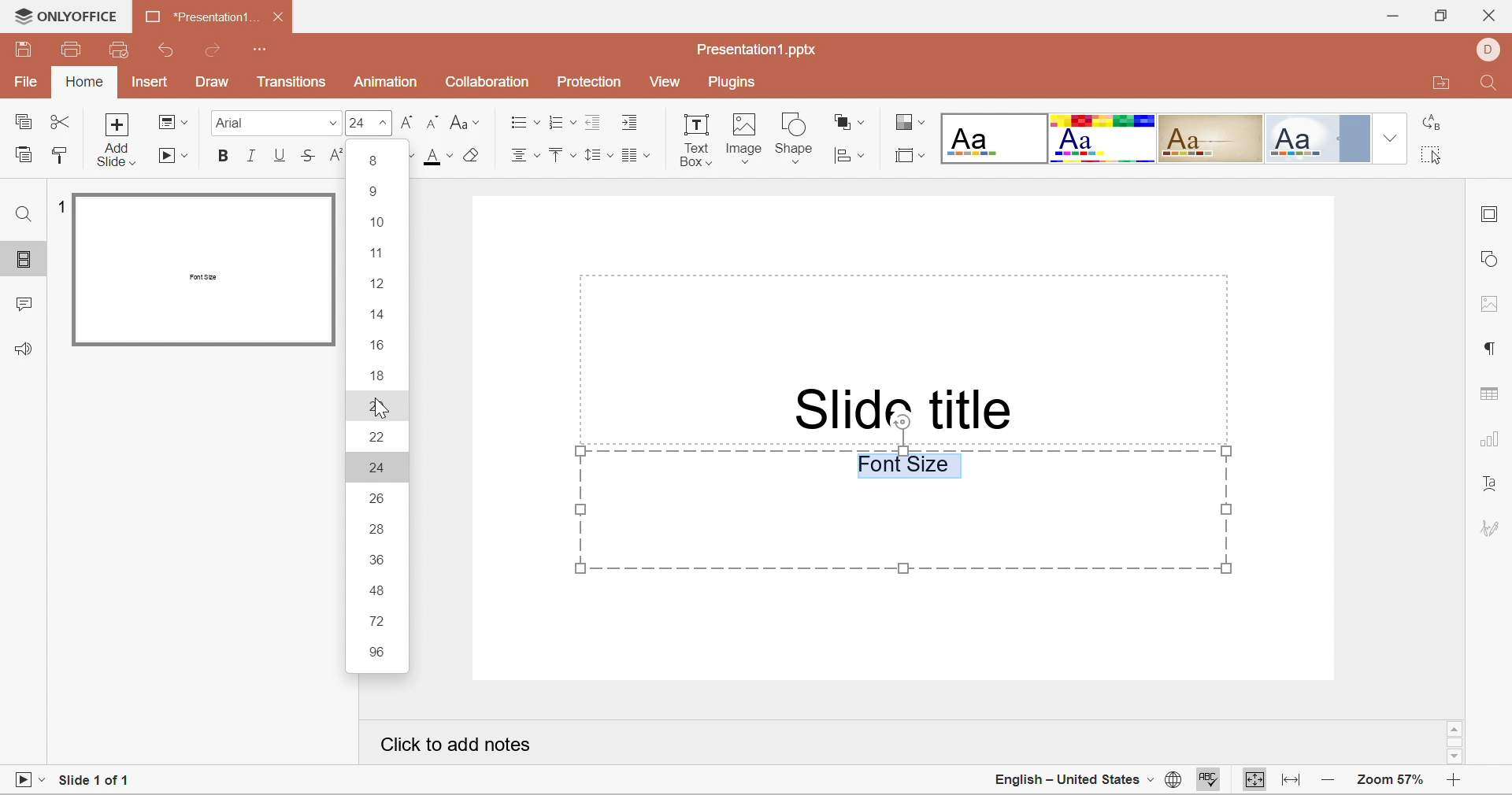 This screenshot has height=795, width=1512. What do you see at coordinates (1492, 443) in the screenshot?
I see `chart settings` at bounding box center [1492, 443].